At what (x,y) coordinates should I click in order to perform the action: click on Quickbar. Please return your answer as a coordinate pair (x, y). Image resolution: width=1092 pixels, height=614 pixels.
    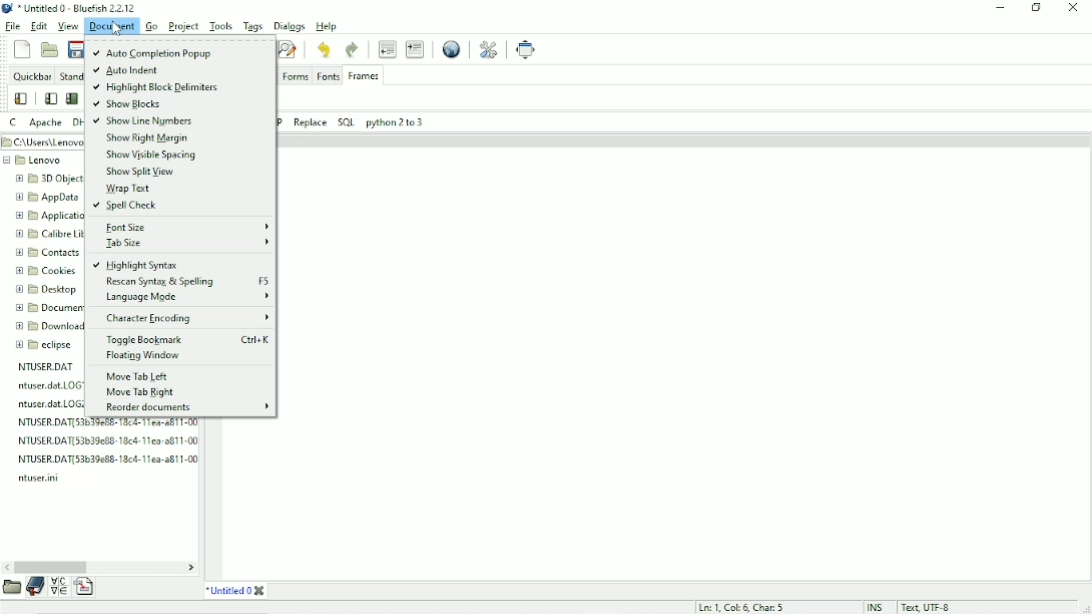
    Looking at the image, I should click on (32, 78).